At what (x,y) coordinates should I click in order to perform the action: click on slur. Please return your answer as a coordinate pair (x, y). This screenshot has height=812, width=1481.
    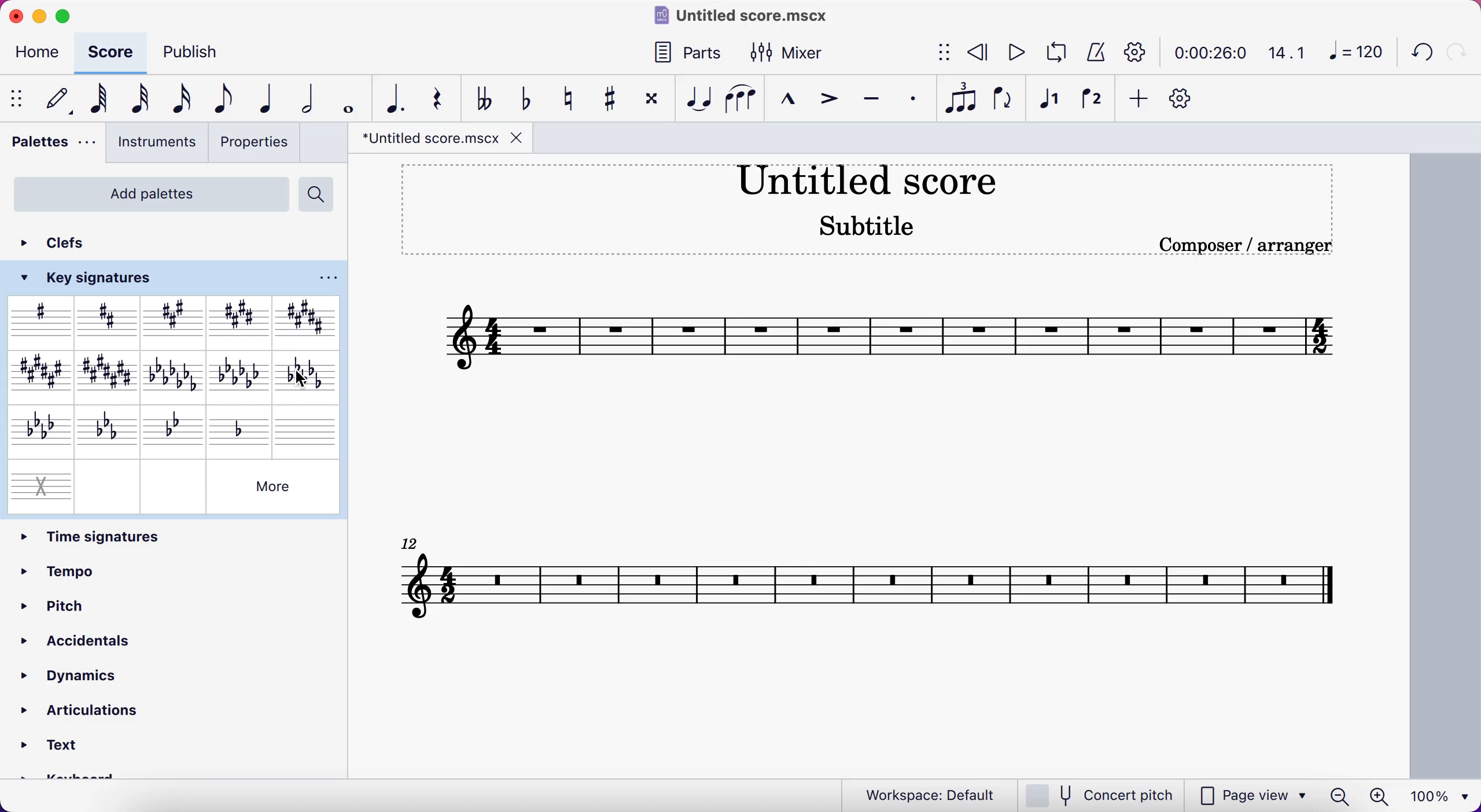
    Looking at the image, I should click on (743, 104).